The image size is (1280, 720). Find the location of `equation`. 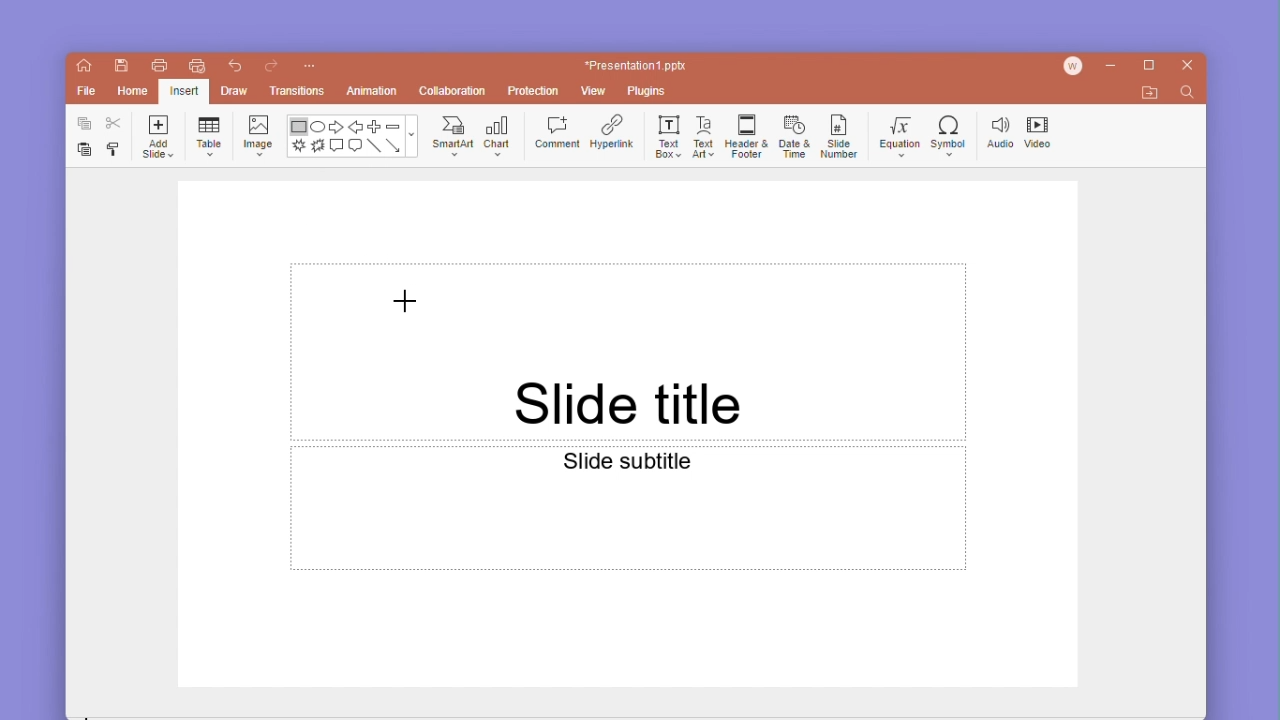

equation is located at coordinates (896, 132).